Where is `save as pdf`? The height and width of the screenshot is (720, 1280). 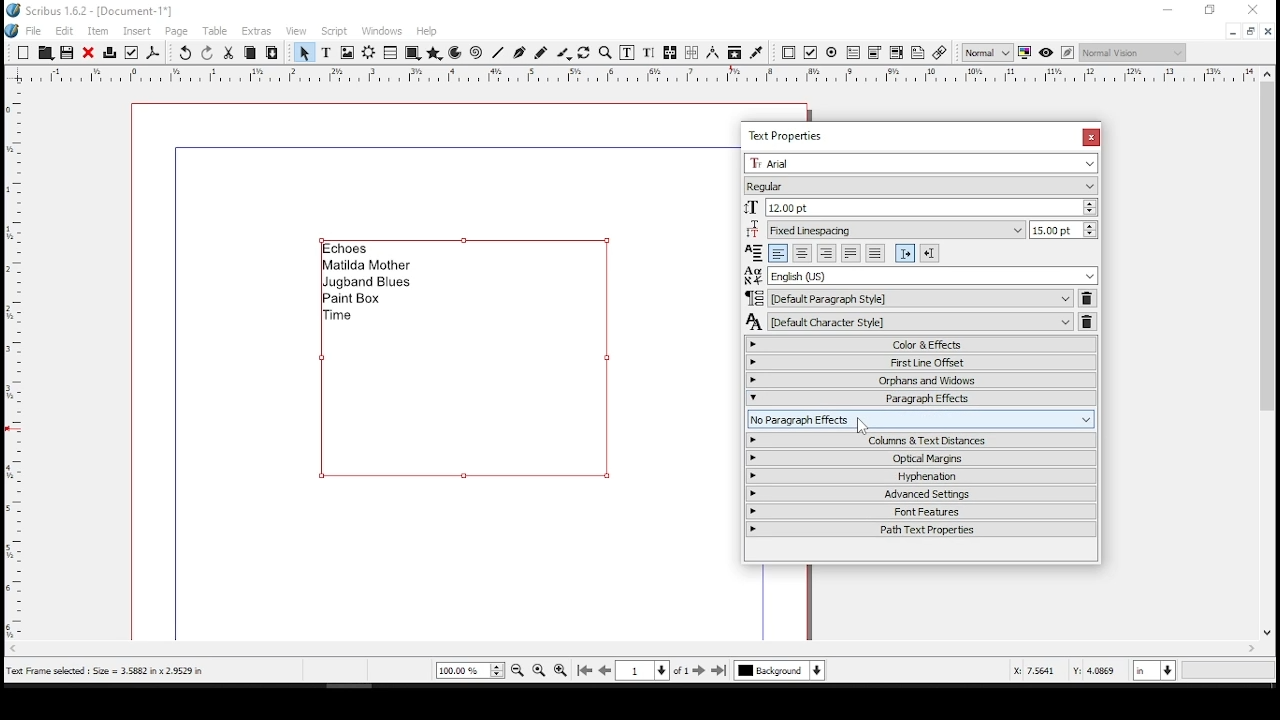 save as pdf is located at coordinates (154, 53).